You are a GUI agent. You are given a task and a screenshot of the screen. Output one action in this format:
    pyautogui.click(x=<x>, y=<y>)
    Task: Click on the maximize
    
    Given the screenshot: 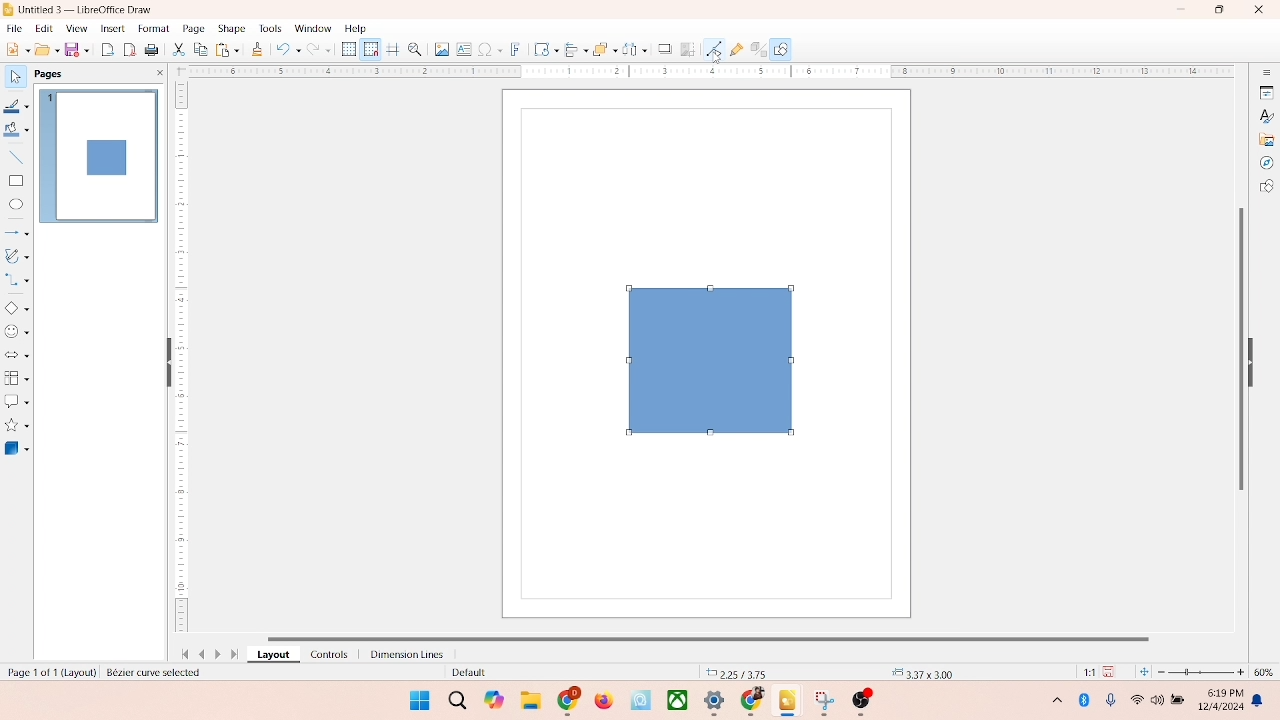 What is the action you would take?
    pyautogui.click(x=1219, y=10)
    